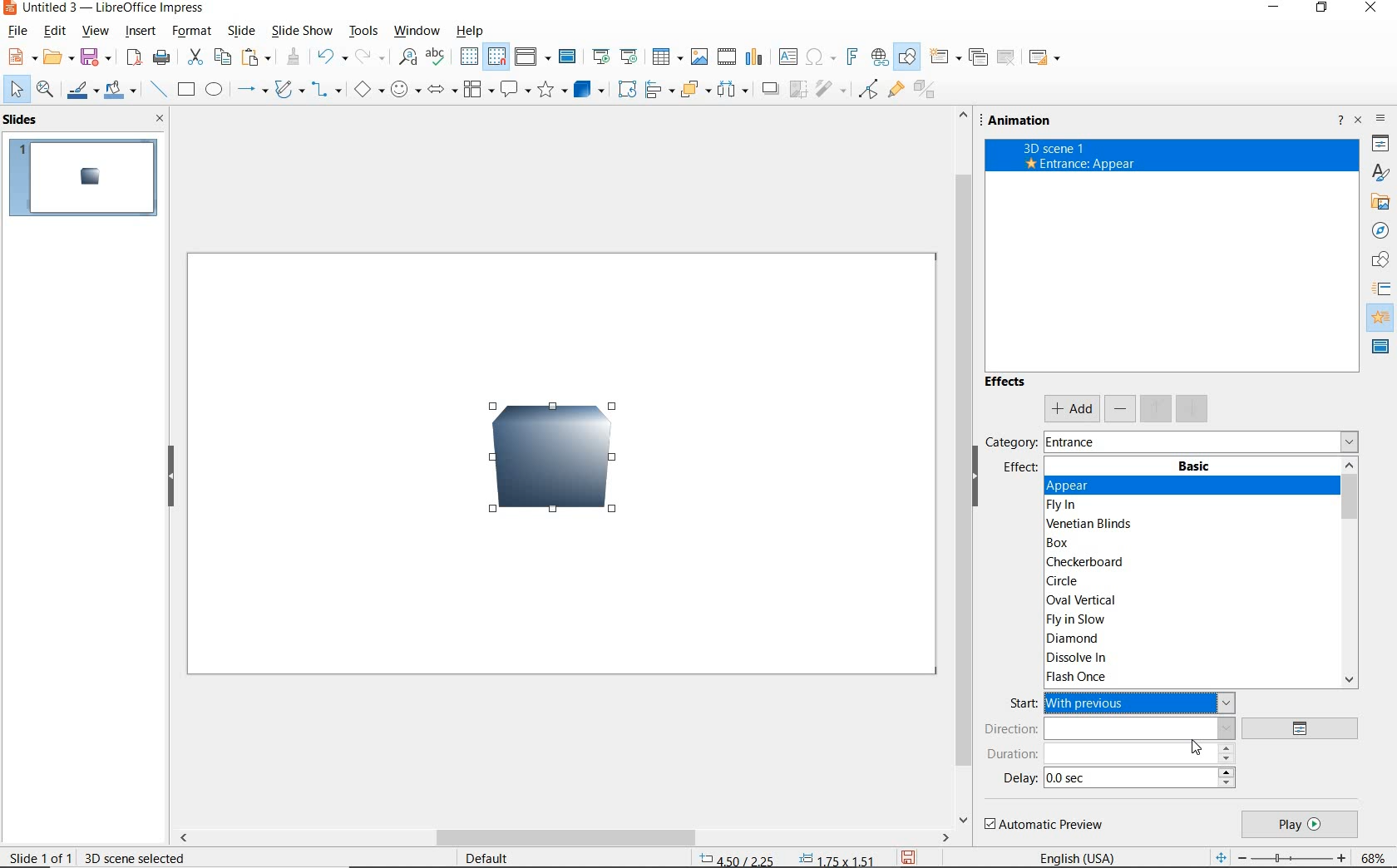 The image size is (1397, 868). What do you see at coordinates (982, 486) in the screenshot?
I see `HIDE` at bounding box center [982, 486].